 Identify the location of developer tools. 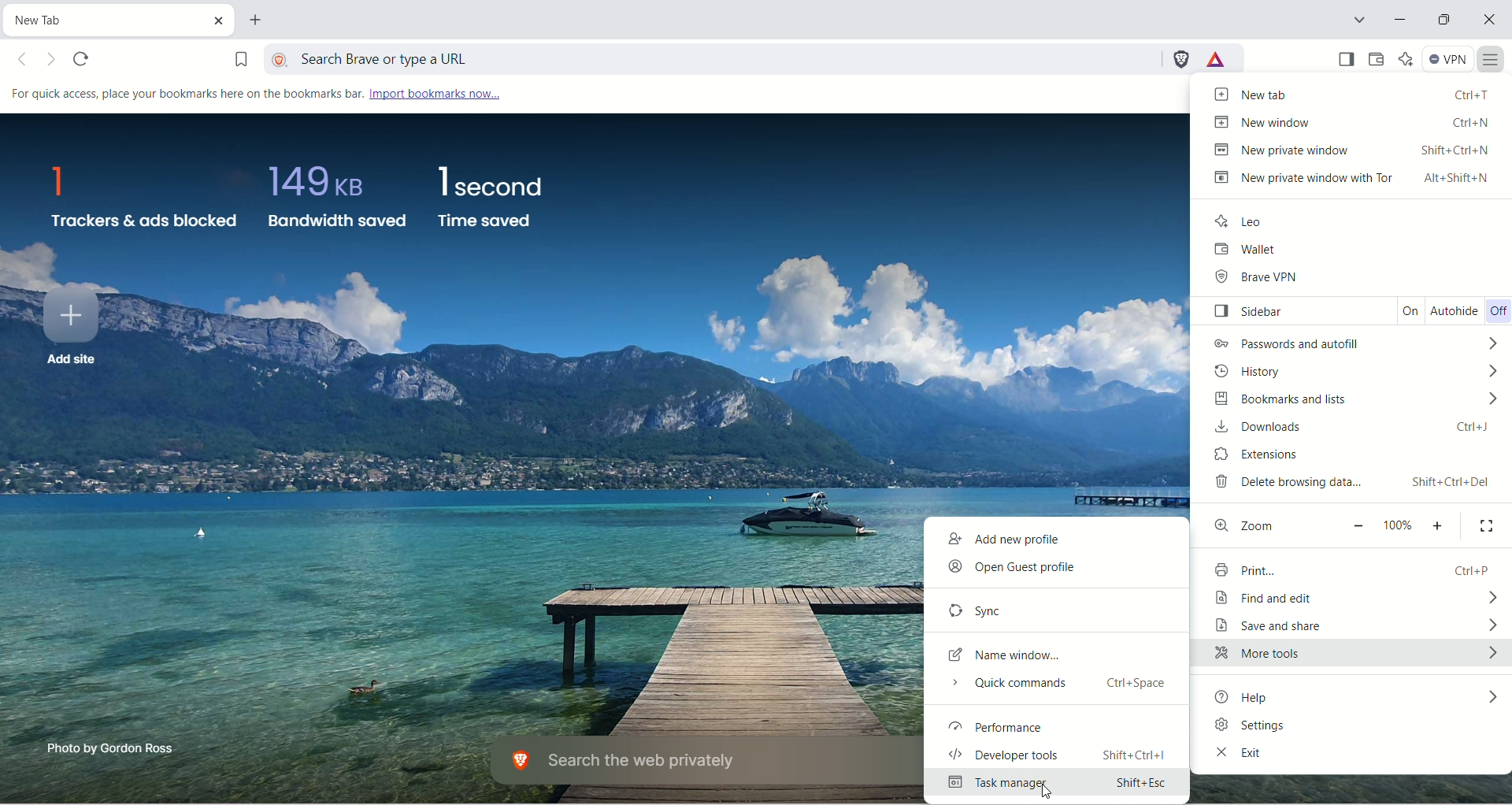
(1065, 757).